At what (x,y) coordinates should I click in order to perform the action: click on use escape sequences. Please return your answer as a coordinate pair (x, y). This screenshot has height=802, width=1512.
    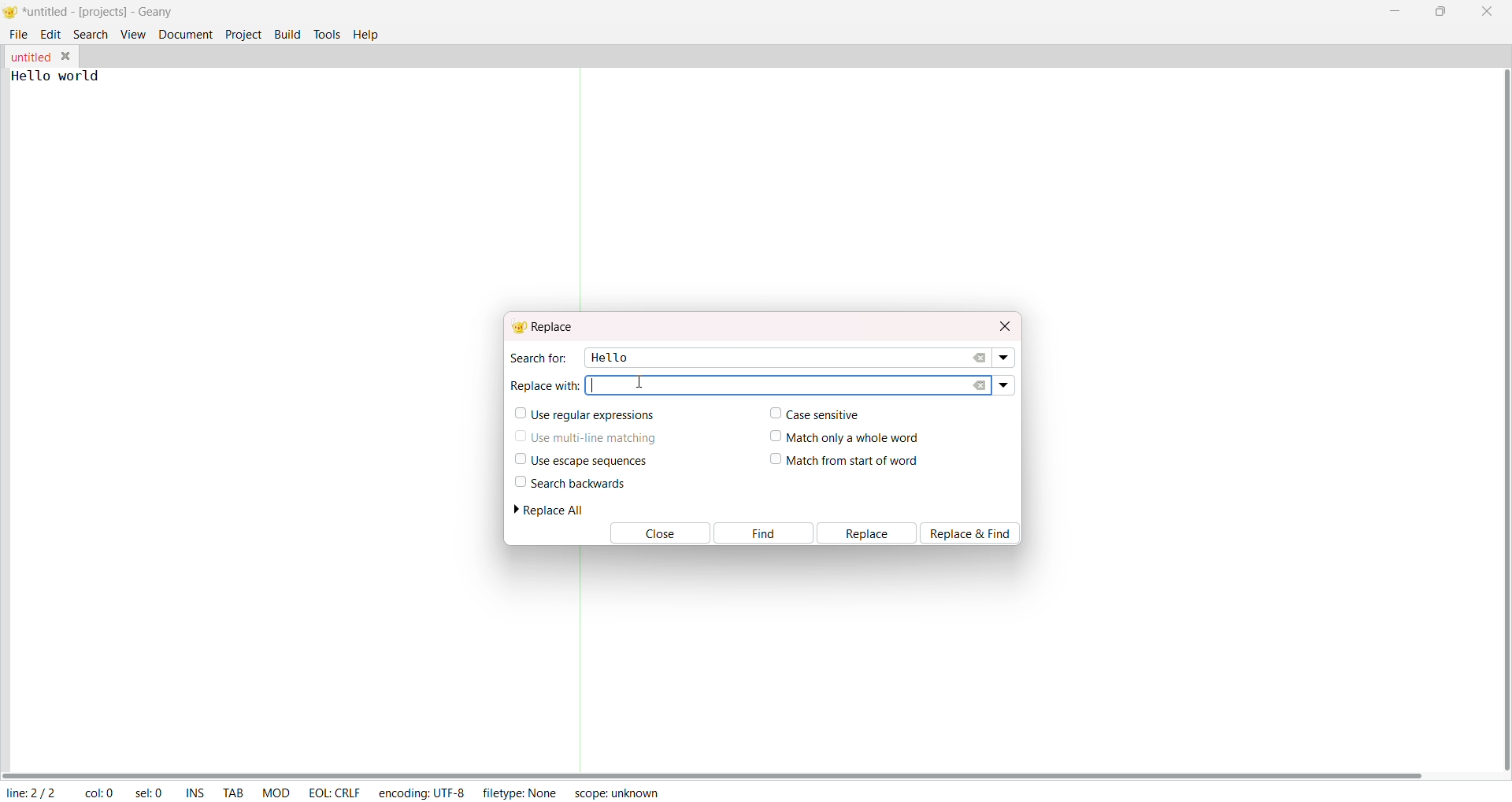
    Looking at the image, I should click on (578, 460).